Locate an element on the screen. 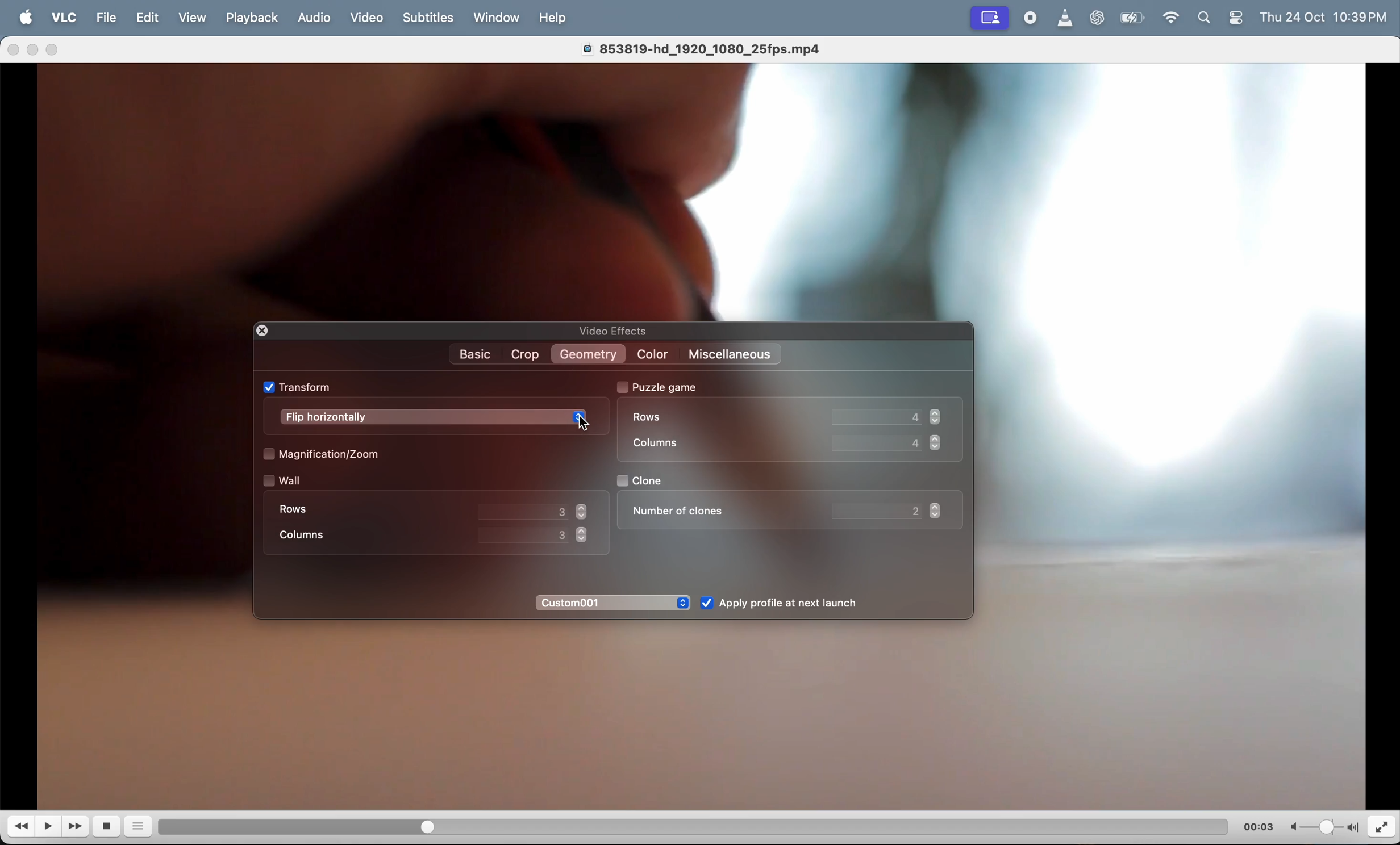 This screenshot has width=1400, height=845. closing window is located at coordinates (266, 332).